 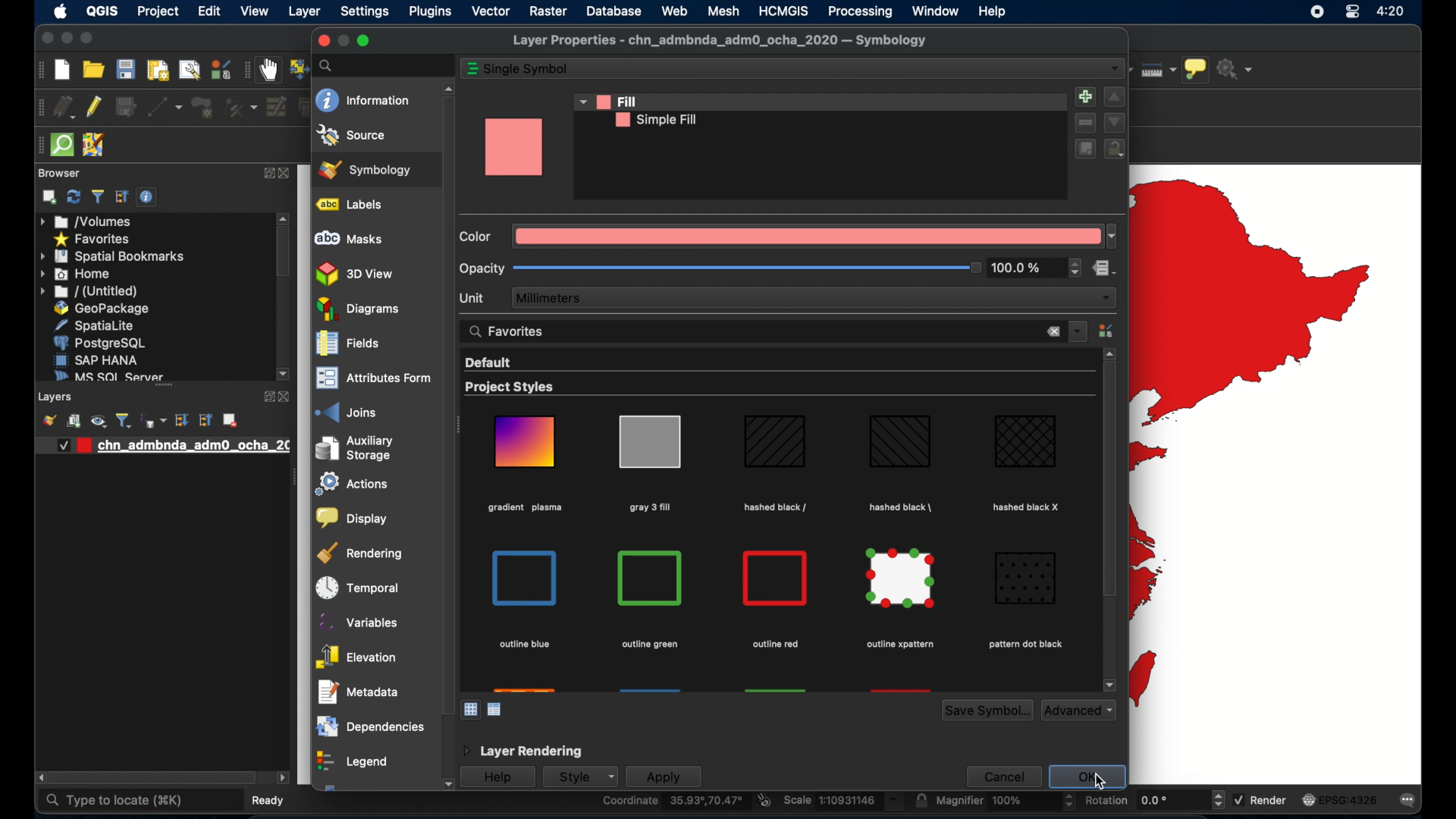 What do you see at coordinates (1340, 799) in the screenshot?
I see `EPSG:4326` at bounding box center [1340, 799].